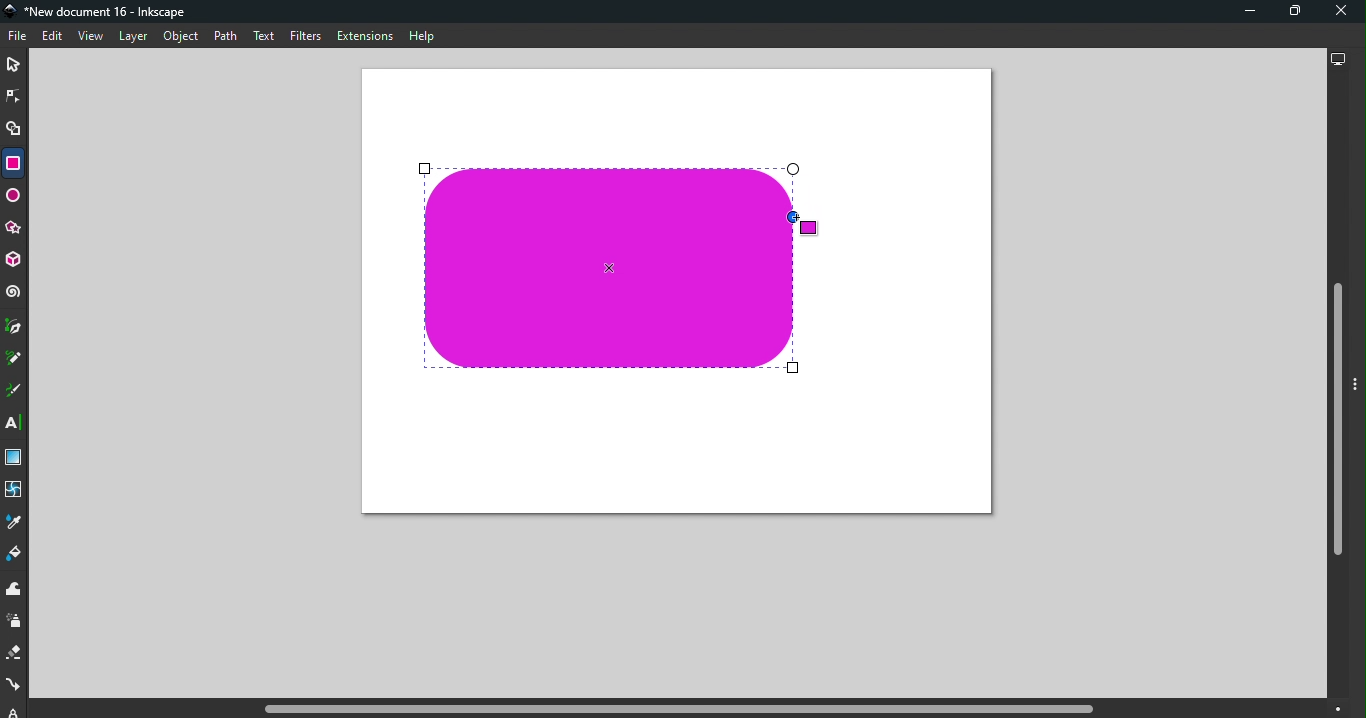 The width and height of the screenshot is (1366, 718). Describe the element at coordinates (1288, 14) in the screenshot. I see `Maximize` at that location.